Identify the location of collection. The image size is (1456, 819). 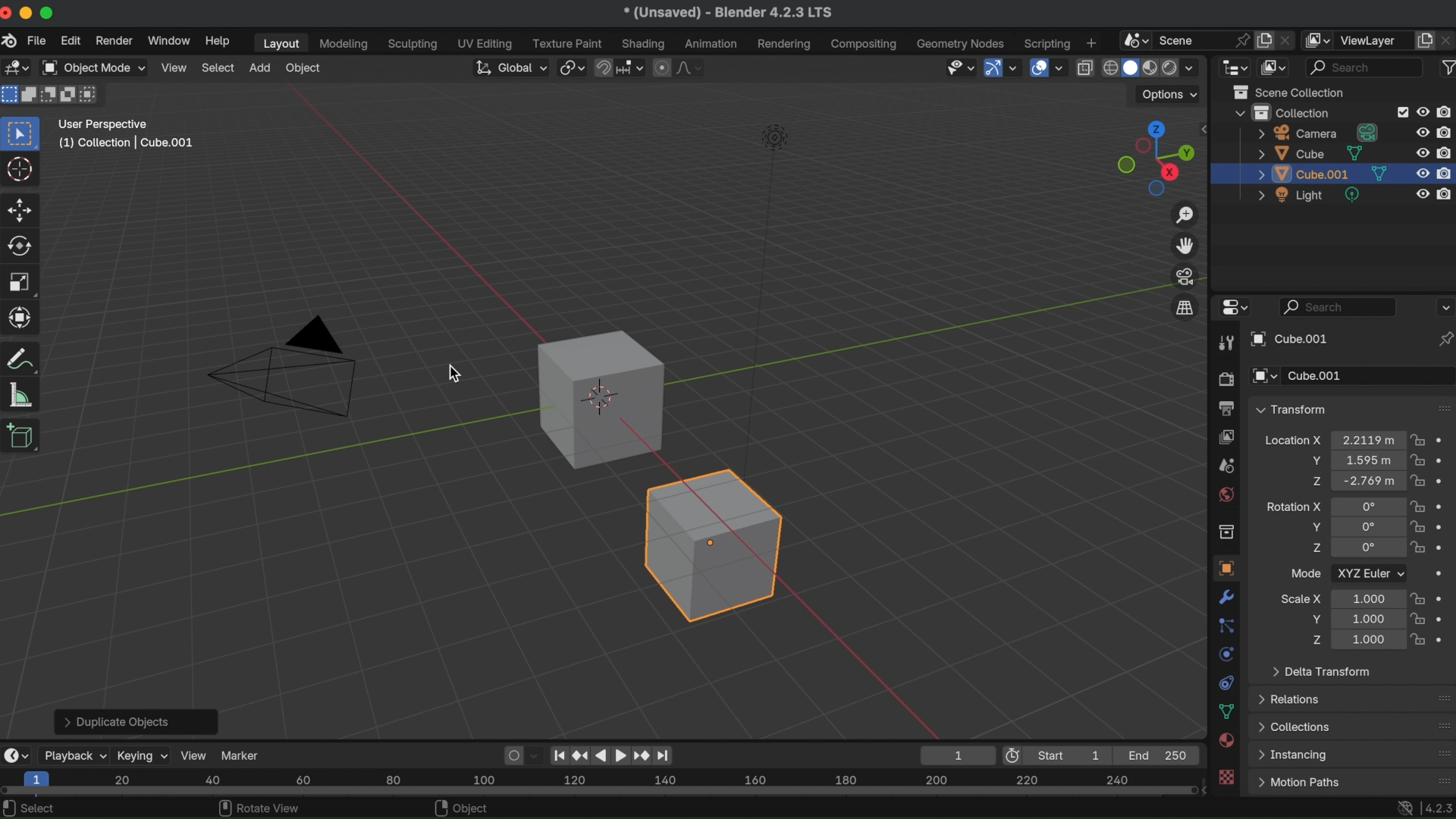
(1282, 112).